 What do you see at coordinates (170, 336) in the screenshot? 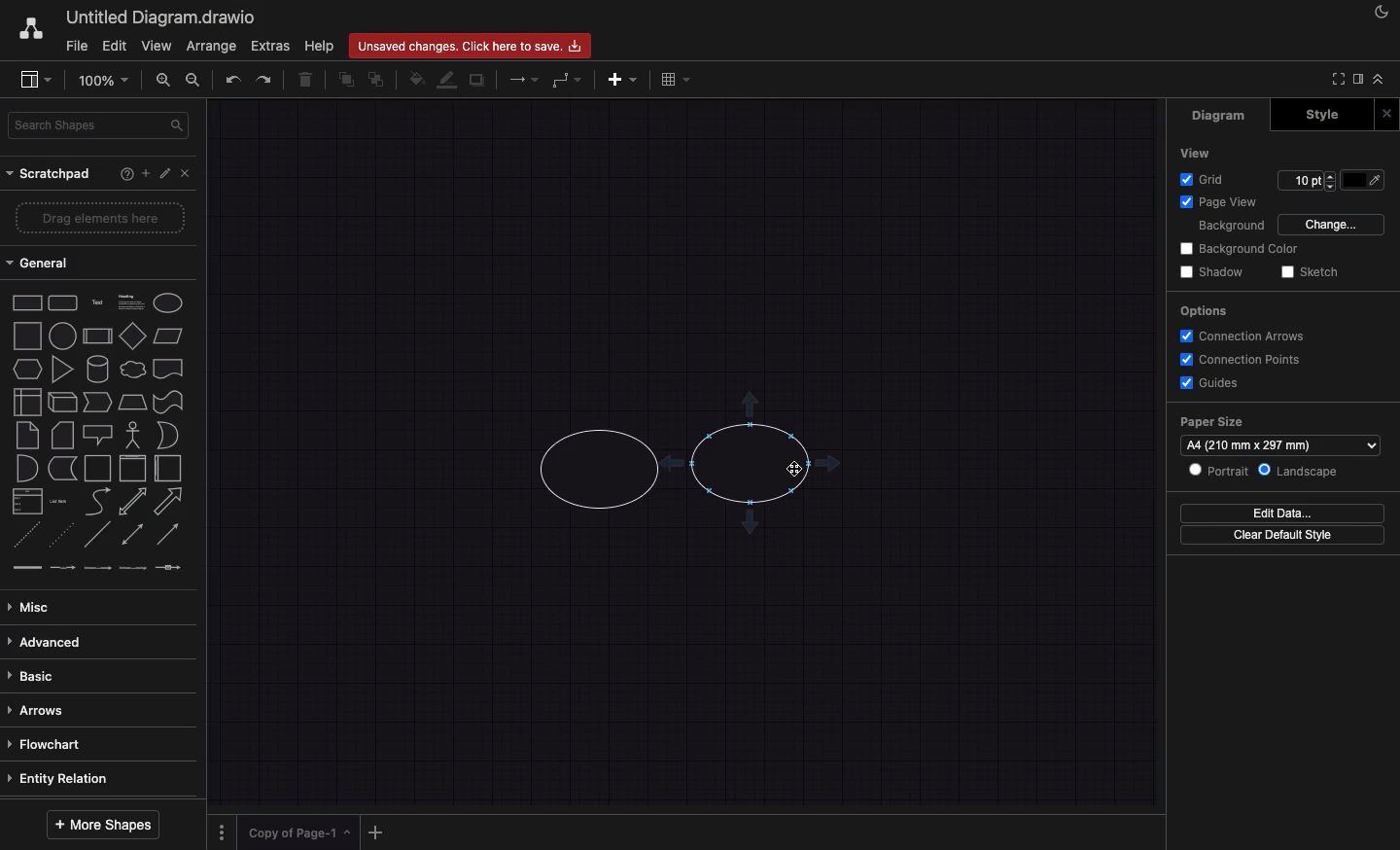
I see `parallelogram` at bounding box center [170, 336].